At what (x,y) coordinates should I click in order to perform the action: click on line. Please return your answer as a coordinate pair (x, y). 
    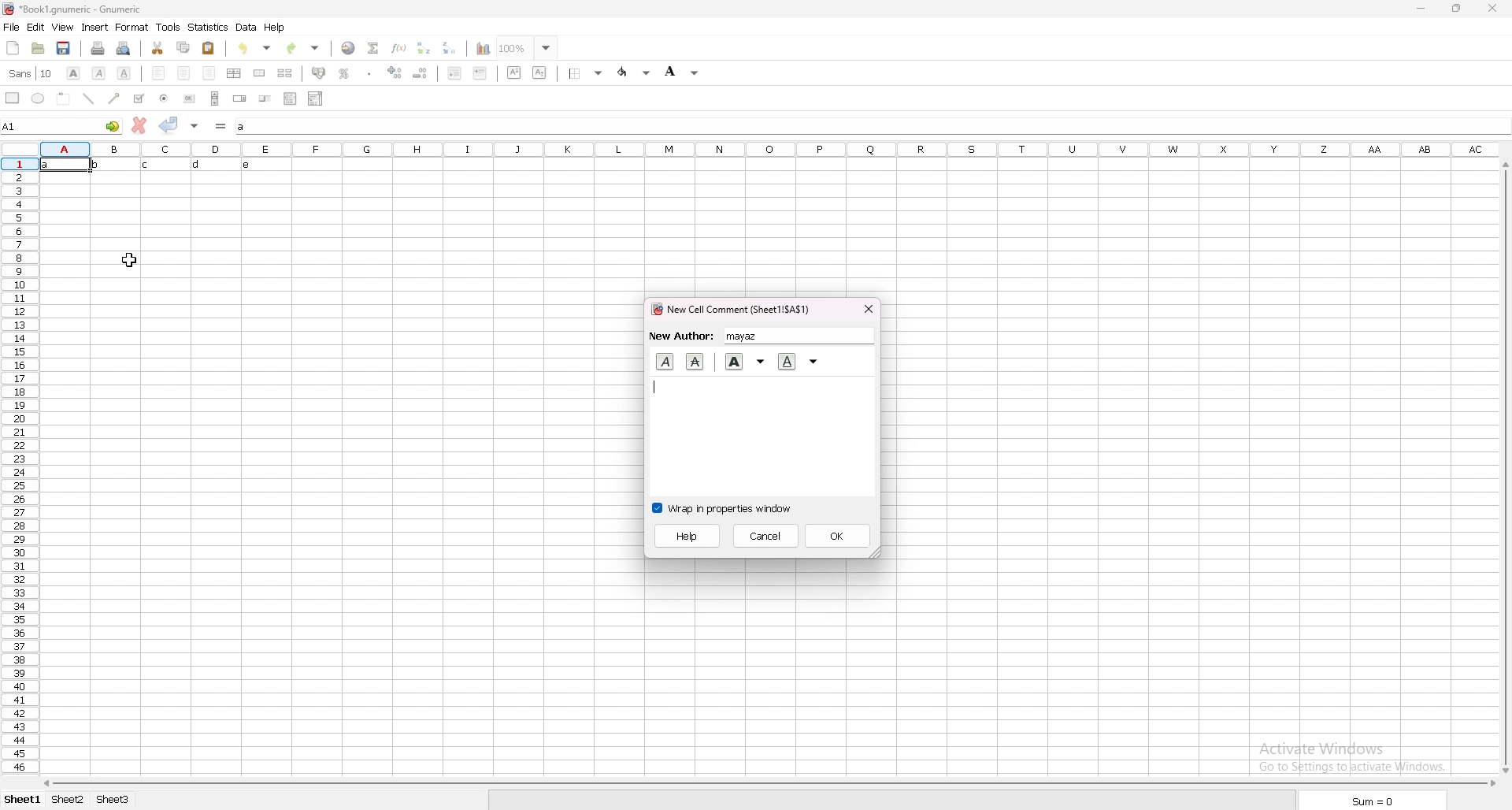
    Looking at the image, I should click on (89, 98).